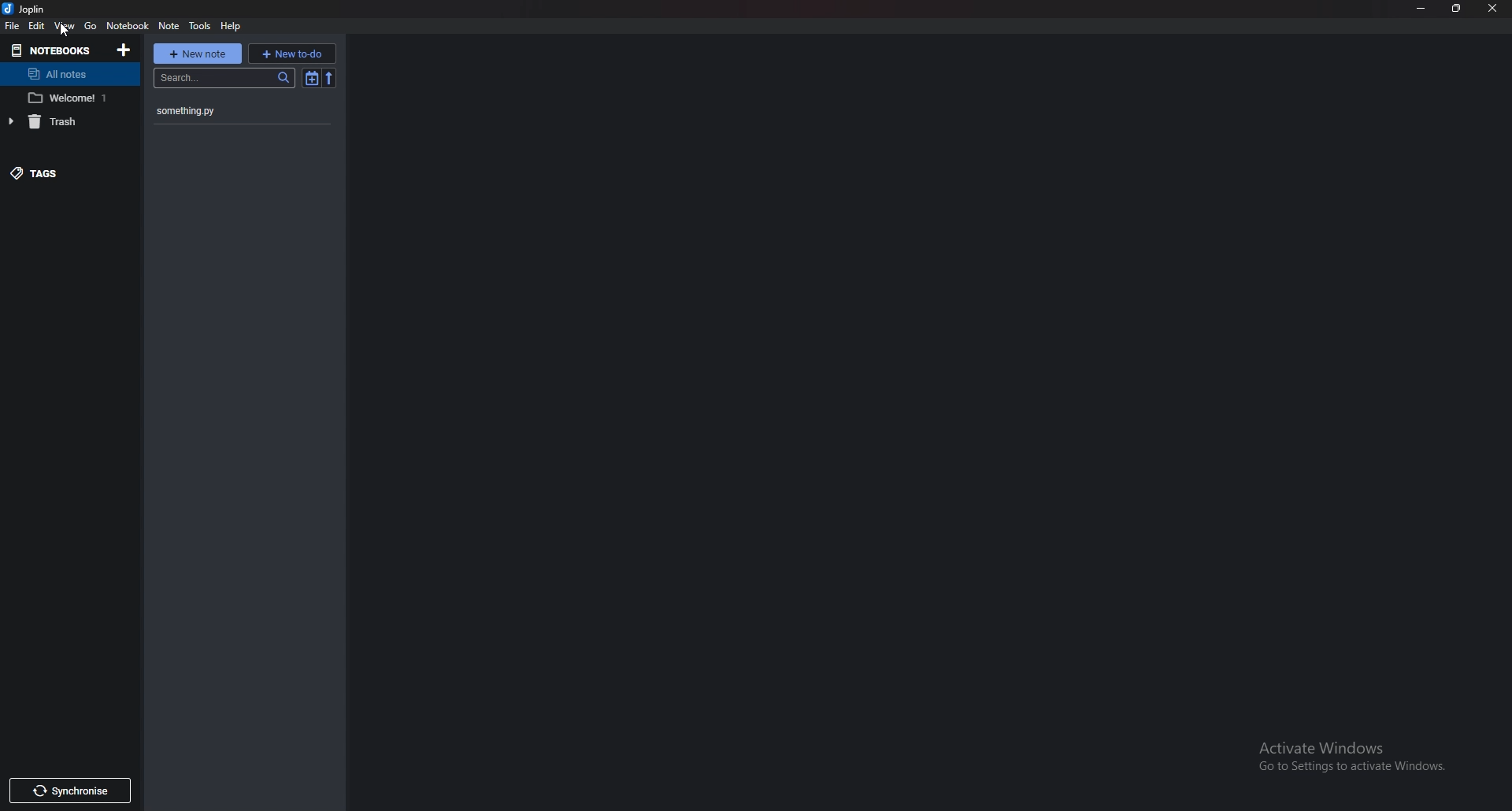 The height and width of the screenshot is (811, 1512). I want to click on Minimize, so click(1421, 8).